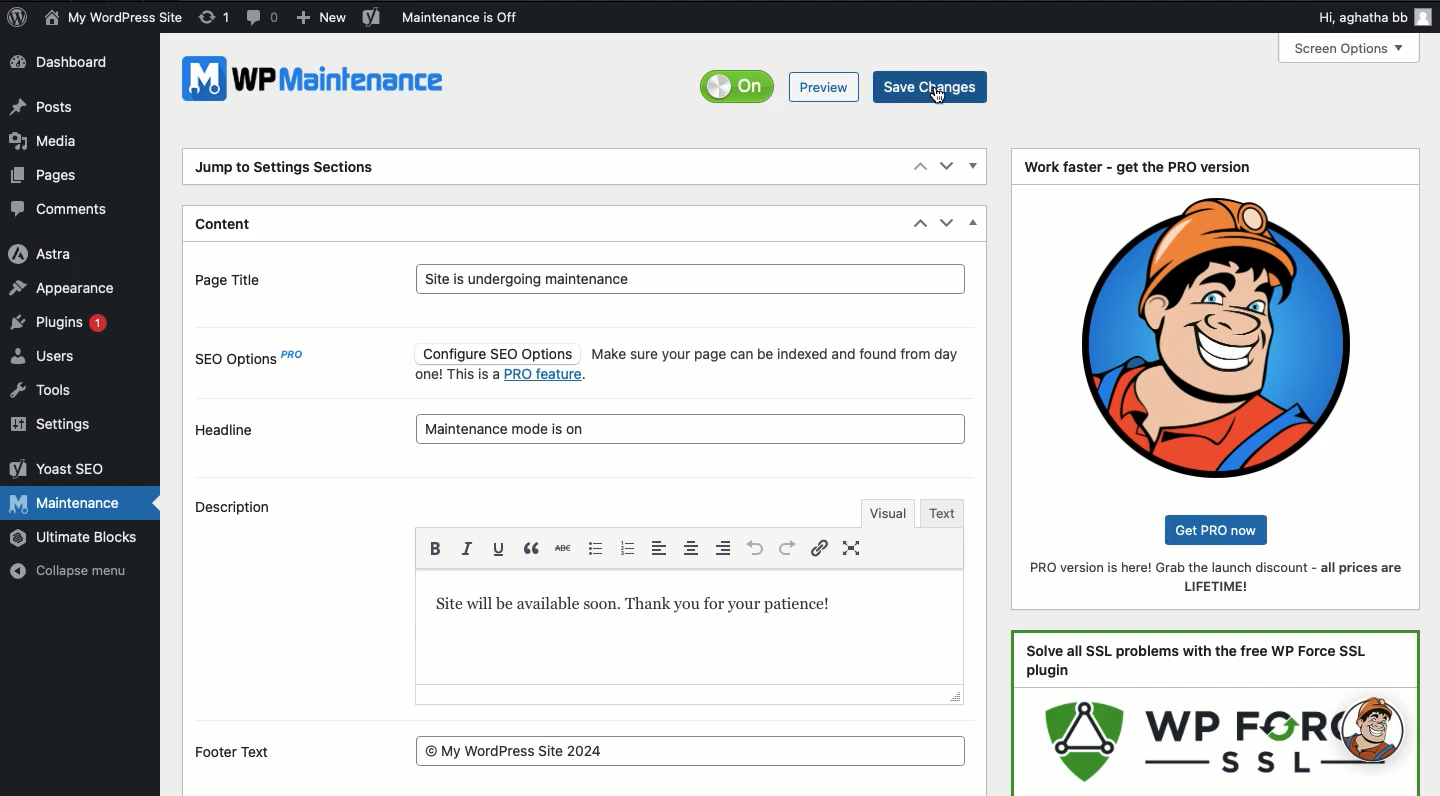 This screenshot has width=1440, height=796. I want to click on Italics, so click(467, 547).